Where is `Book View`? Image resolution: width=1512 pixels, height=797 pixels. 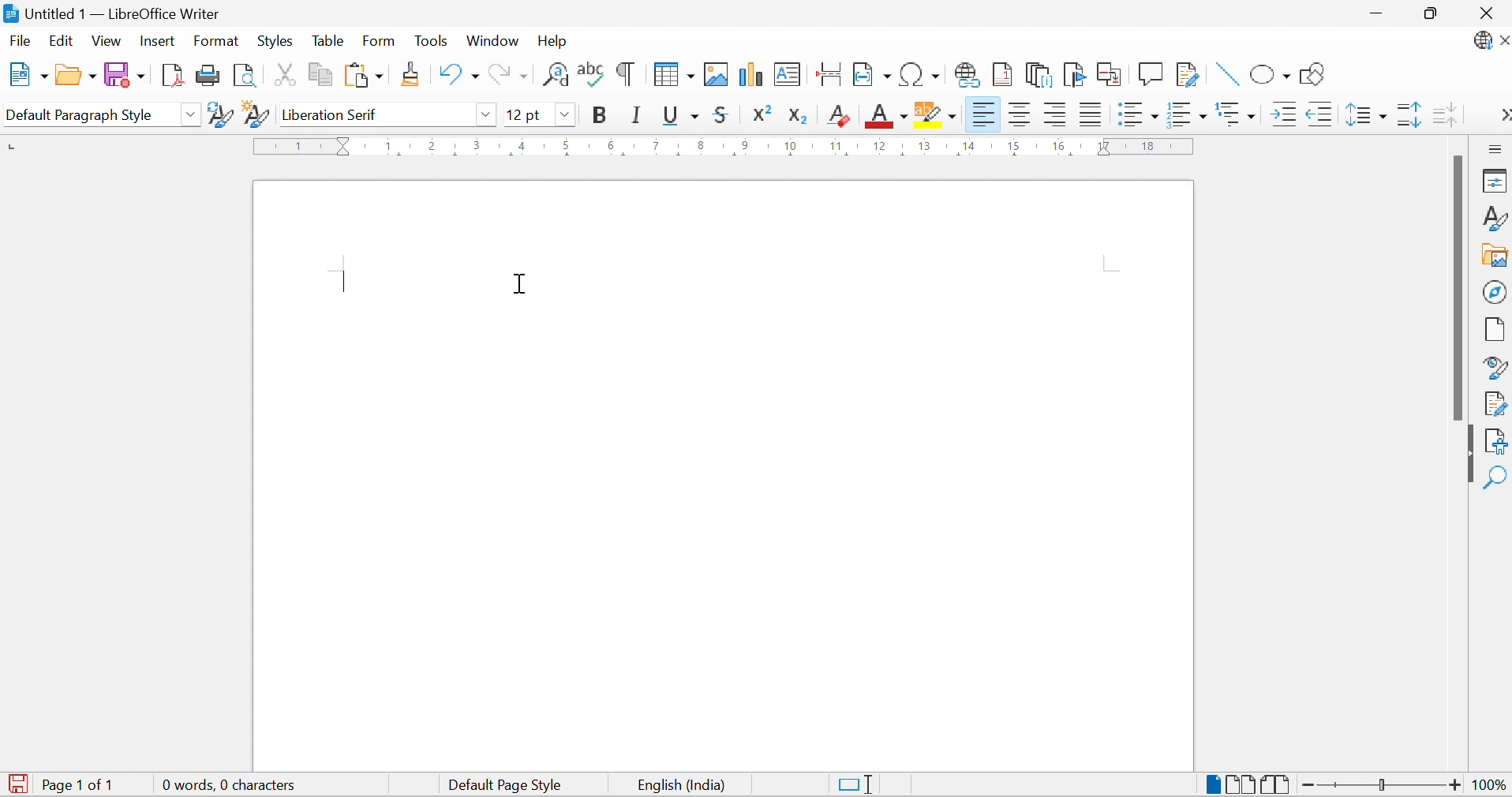
Book View is located at coordinates (1277, 784).